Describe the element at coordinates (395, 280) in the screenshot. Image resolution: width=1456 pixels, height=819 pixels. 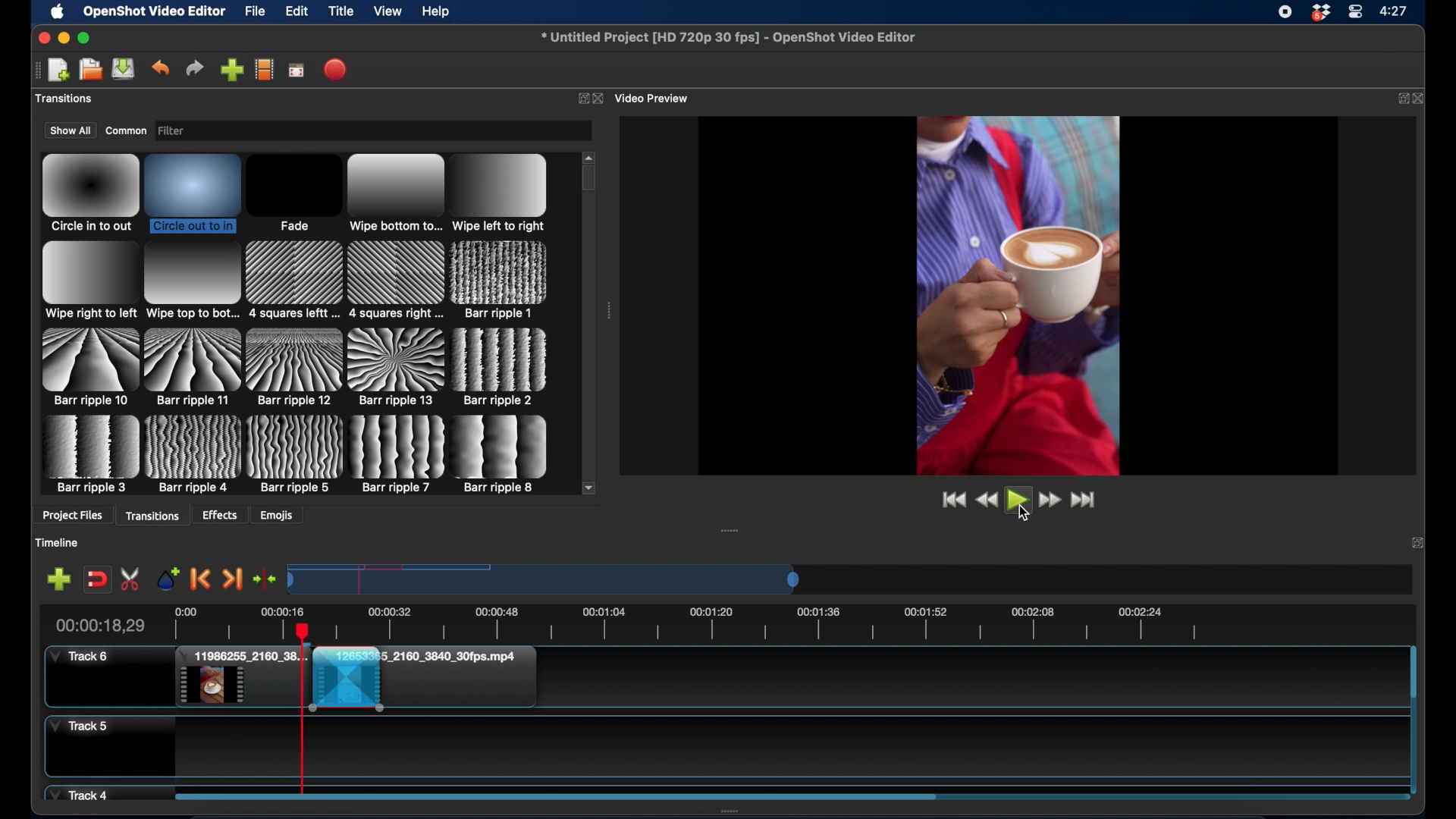
I see `transition` at that location.